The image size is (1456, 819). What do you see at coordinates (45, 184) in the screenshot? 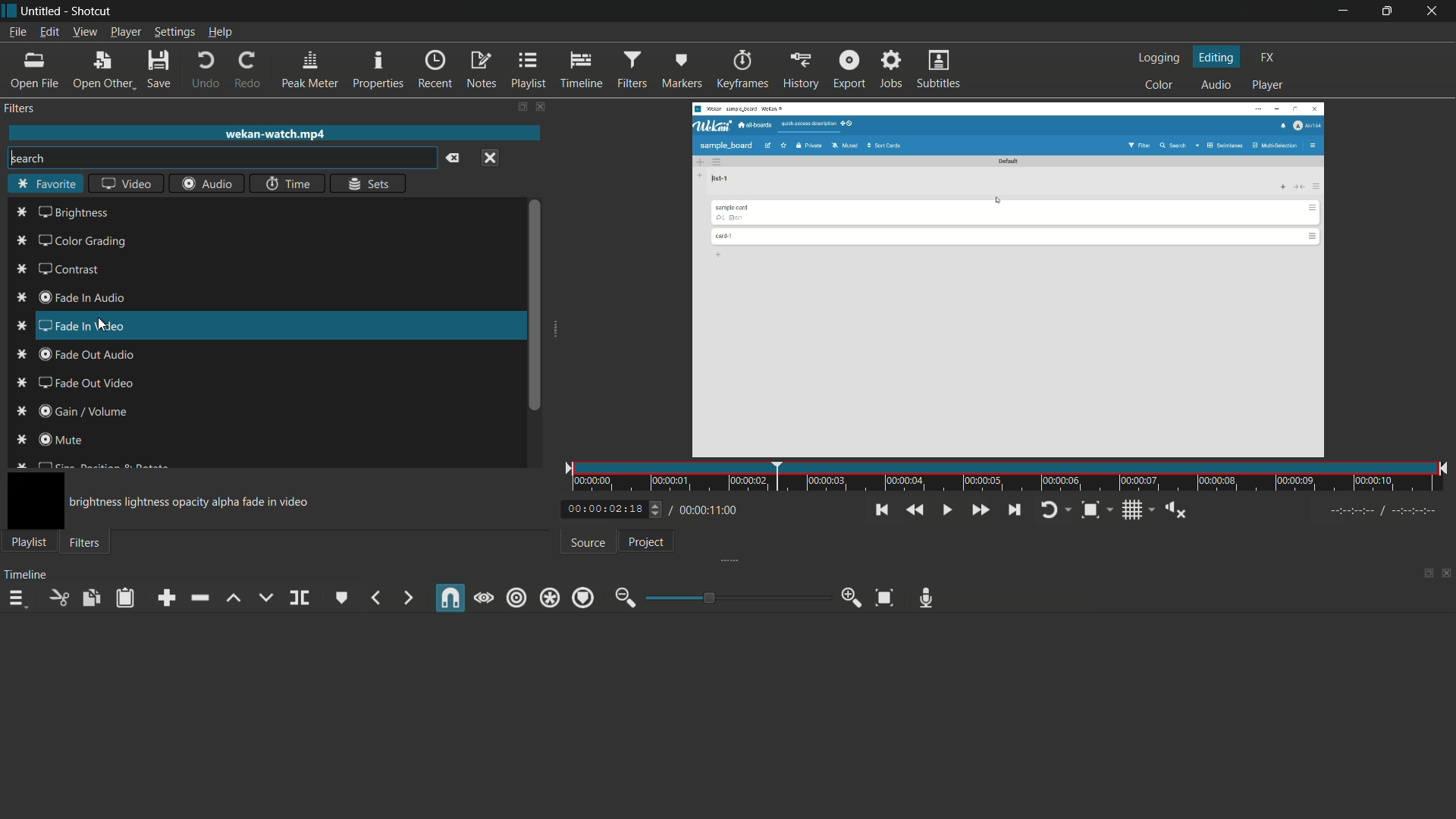
I see `favorite` at bounding box center [45, 184].